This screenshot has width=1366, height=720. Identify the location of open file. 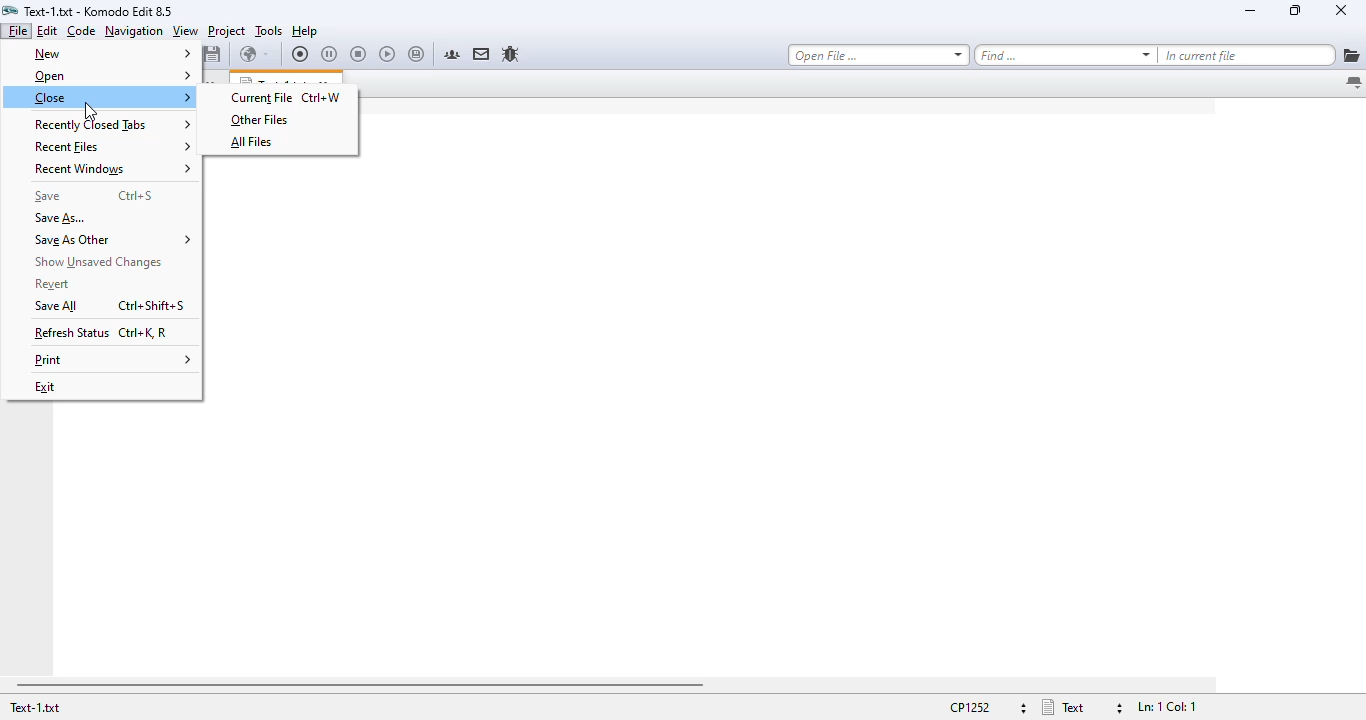
(878, 55).